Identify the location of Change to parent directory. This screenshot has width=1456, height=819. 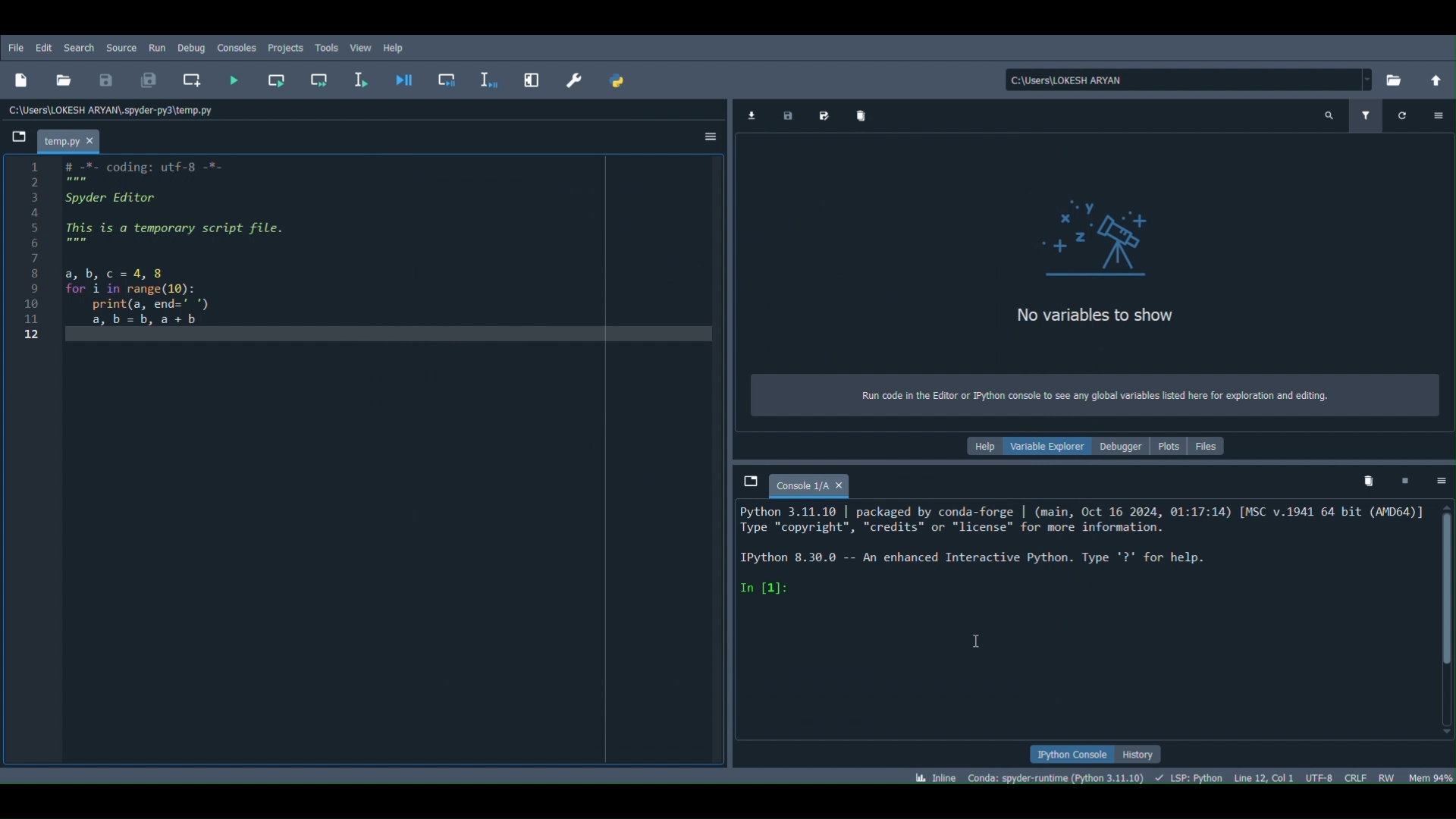
(1436, 78).